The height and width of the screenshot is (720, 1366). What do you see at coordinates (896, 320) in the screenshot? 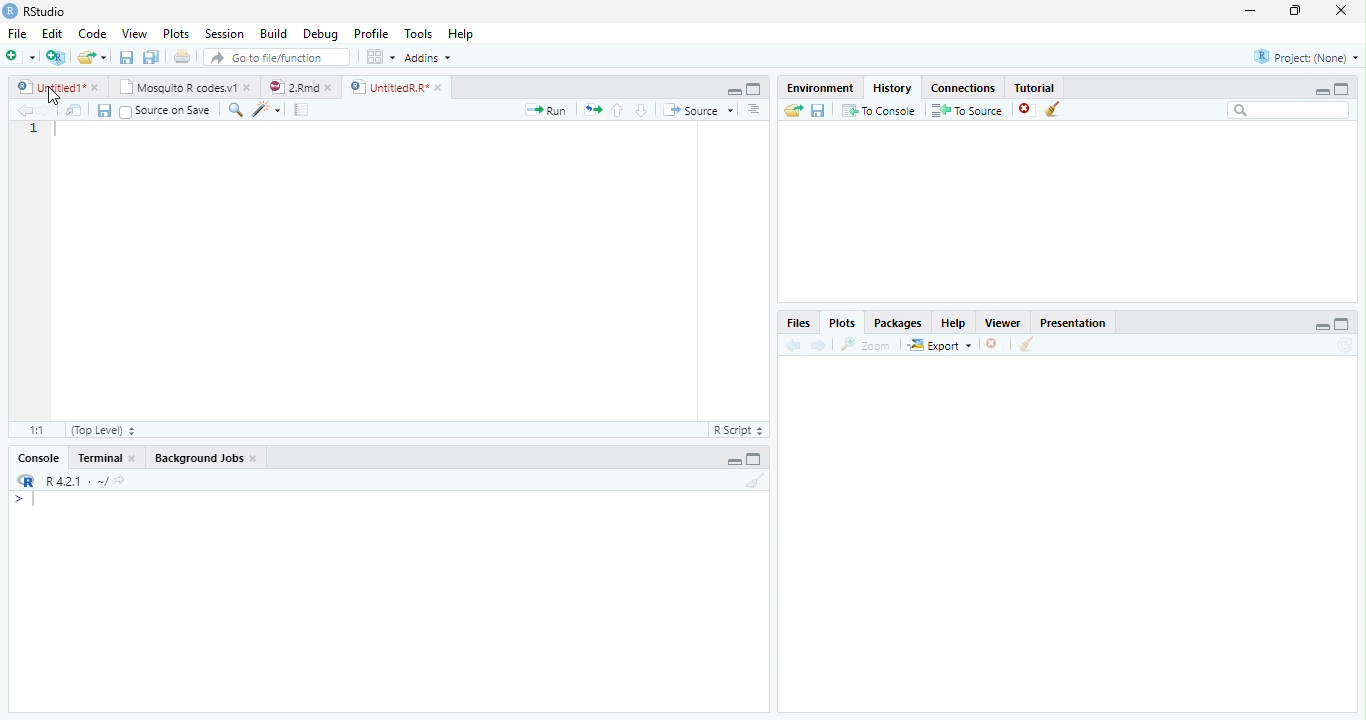
I see `Packages` at bounding box center [896, 320].